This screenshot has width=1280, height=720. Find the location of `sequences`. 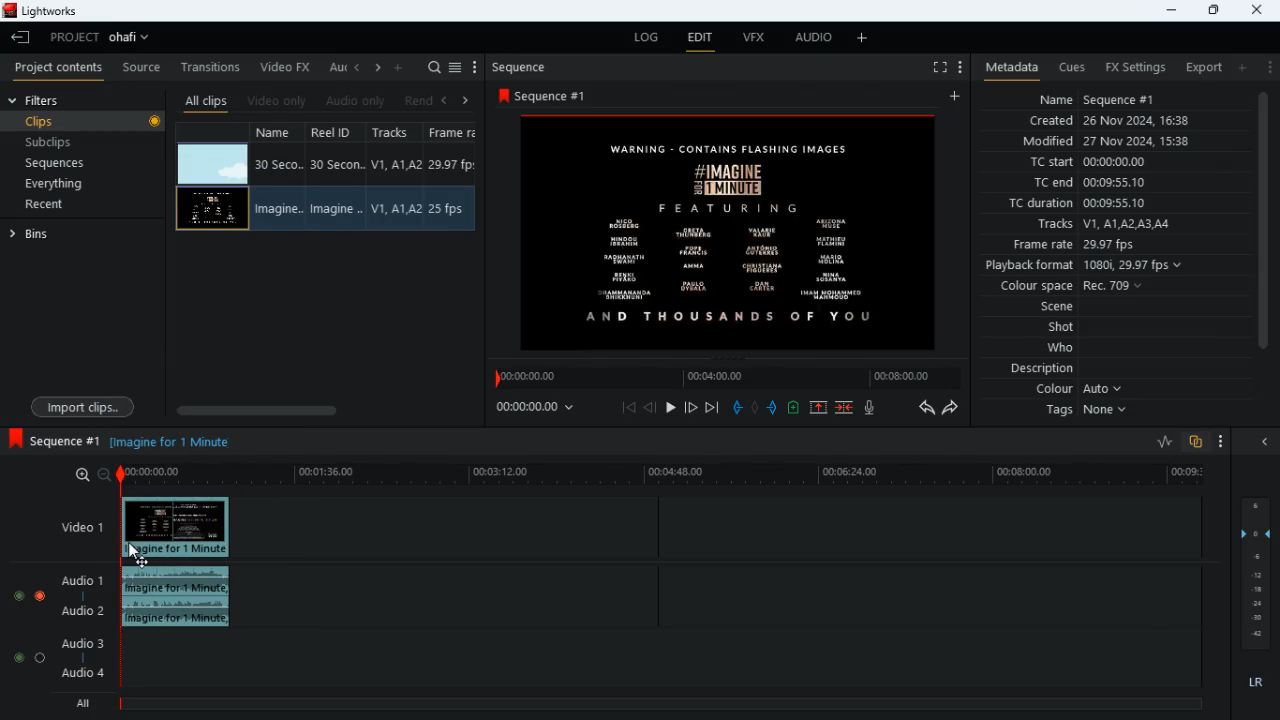

sequences is located at coordinates (62, 164).